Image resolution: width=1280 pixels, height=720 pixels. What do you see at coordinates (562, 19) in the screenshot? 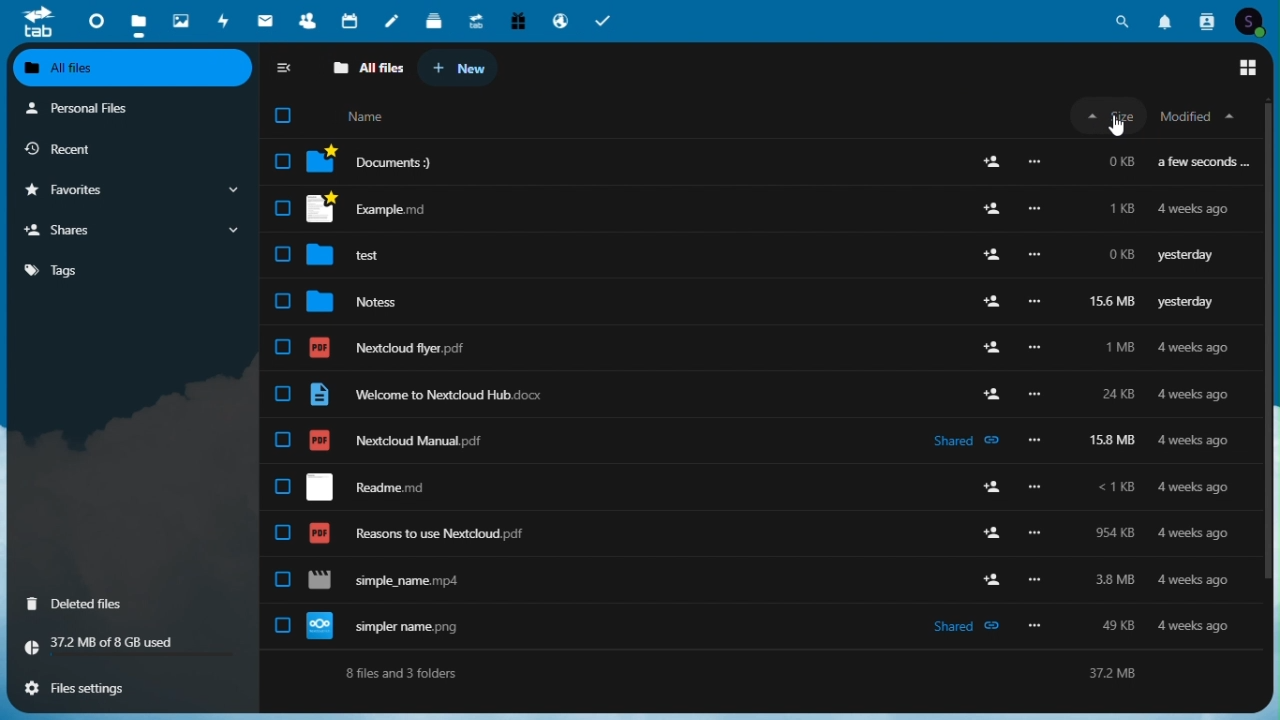
I see `Email hosting` at bounding box center [562, 19].